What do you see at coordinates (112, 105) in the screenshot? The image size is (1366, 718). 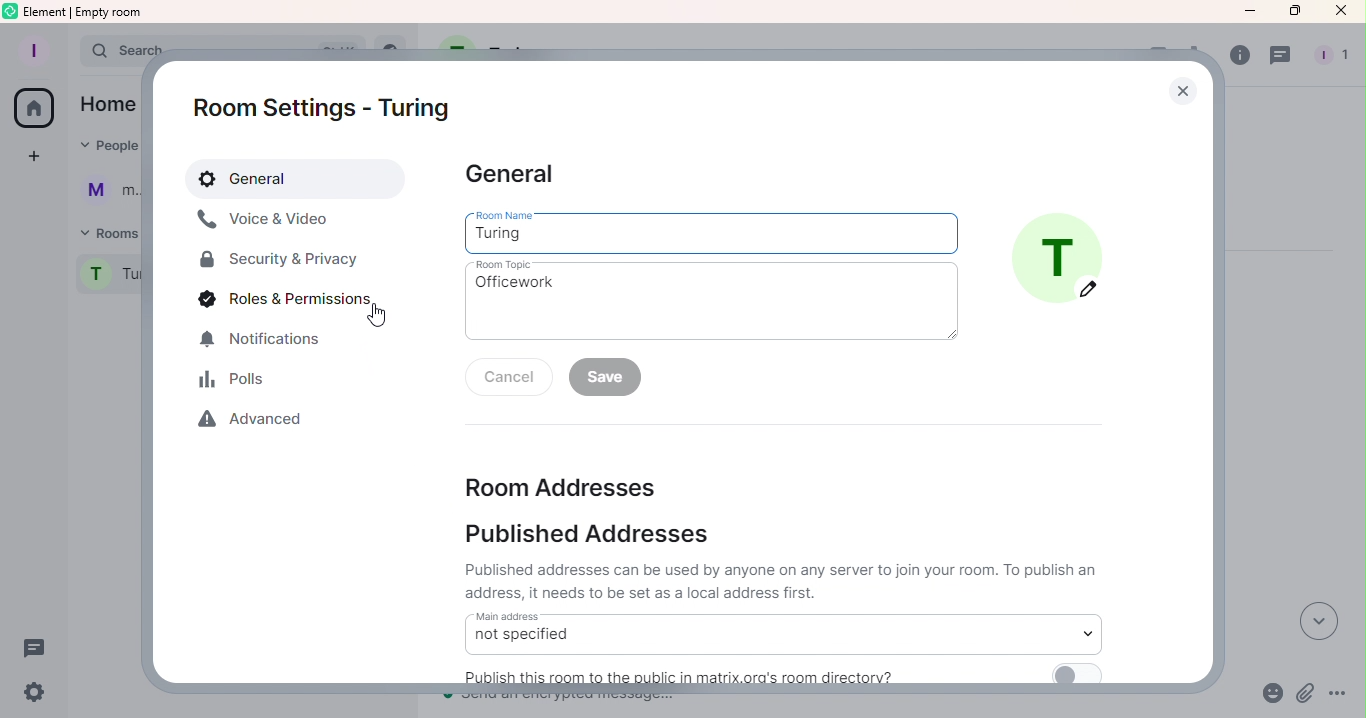 I see `home` at bounding box center [112, 105].